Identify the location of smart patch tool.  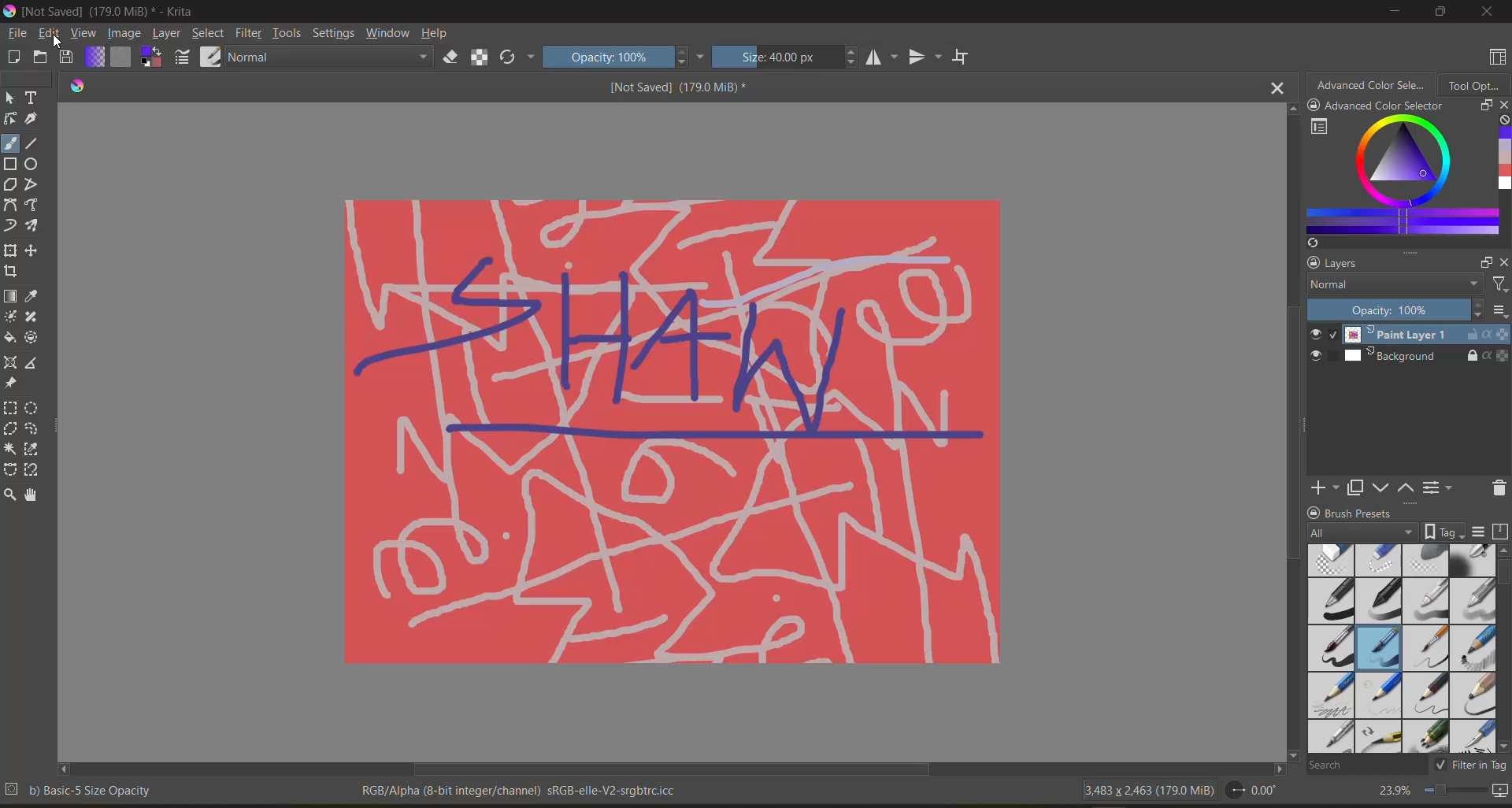
(32, 317).